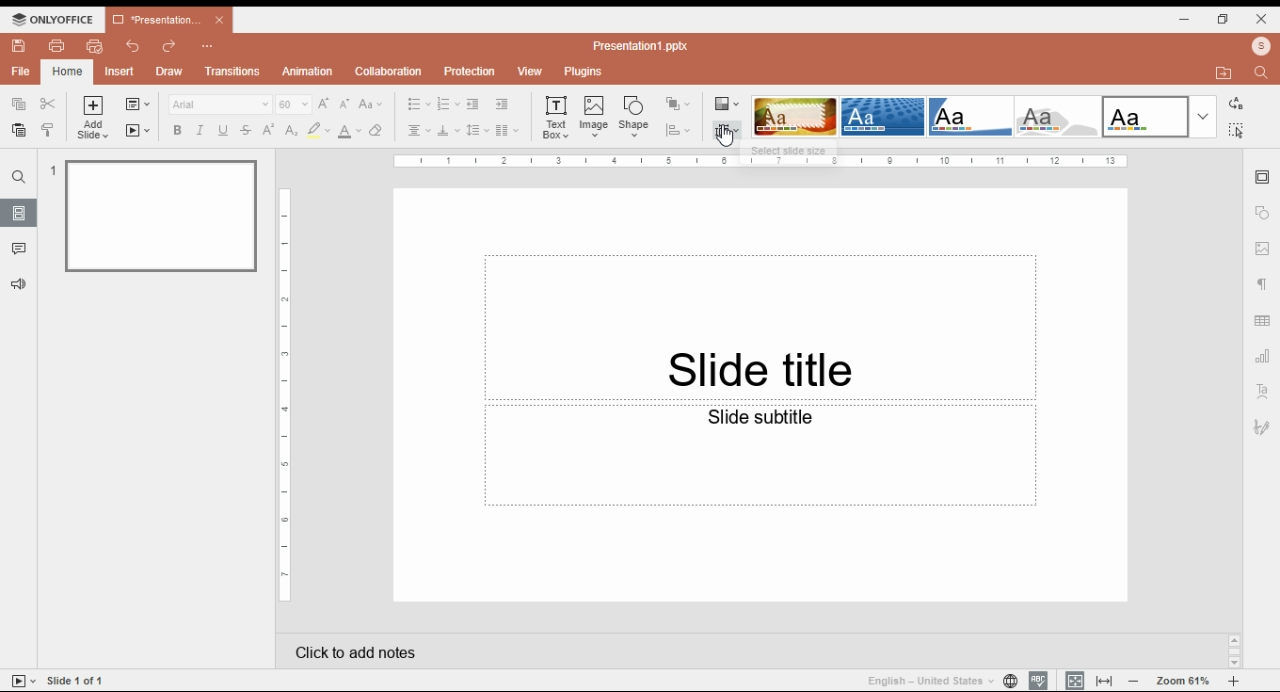 The width and height of the screenshot is (1280, 692). What do you see at coordinates (120, 72) in the screenshot?
I see `insert` at bounding box center [120, 72].